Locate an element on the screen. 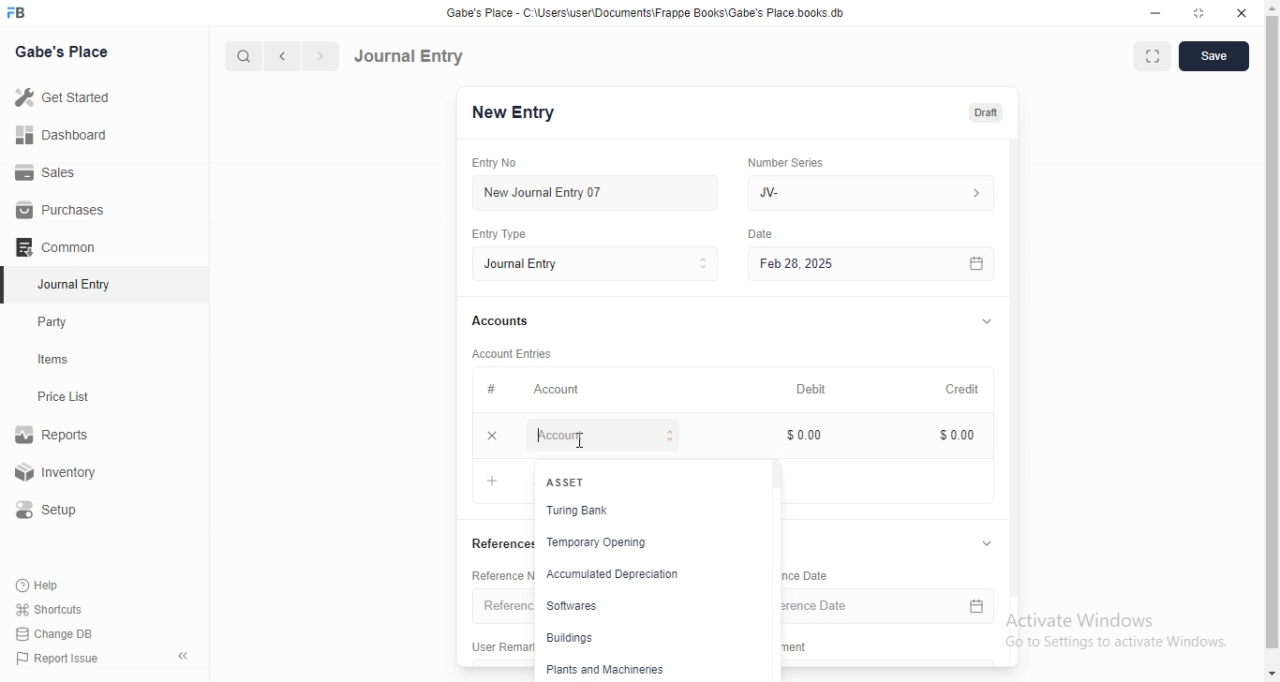 This screenshot has width=1280, height=682. Temporary Opening is located at coordinates (597, 543).